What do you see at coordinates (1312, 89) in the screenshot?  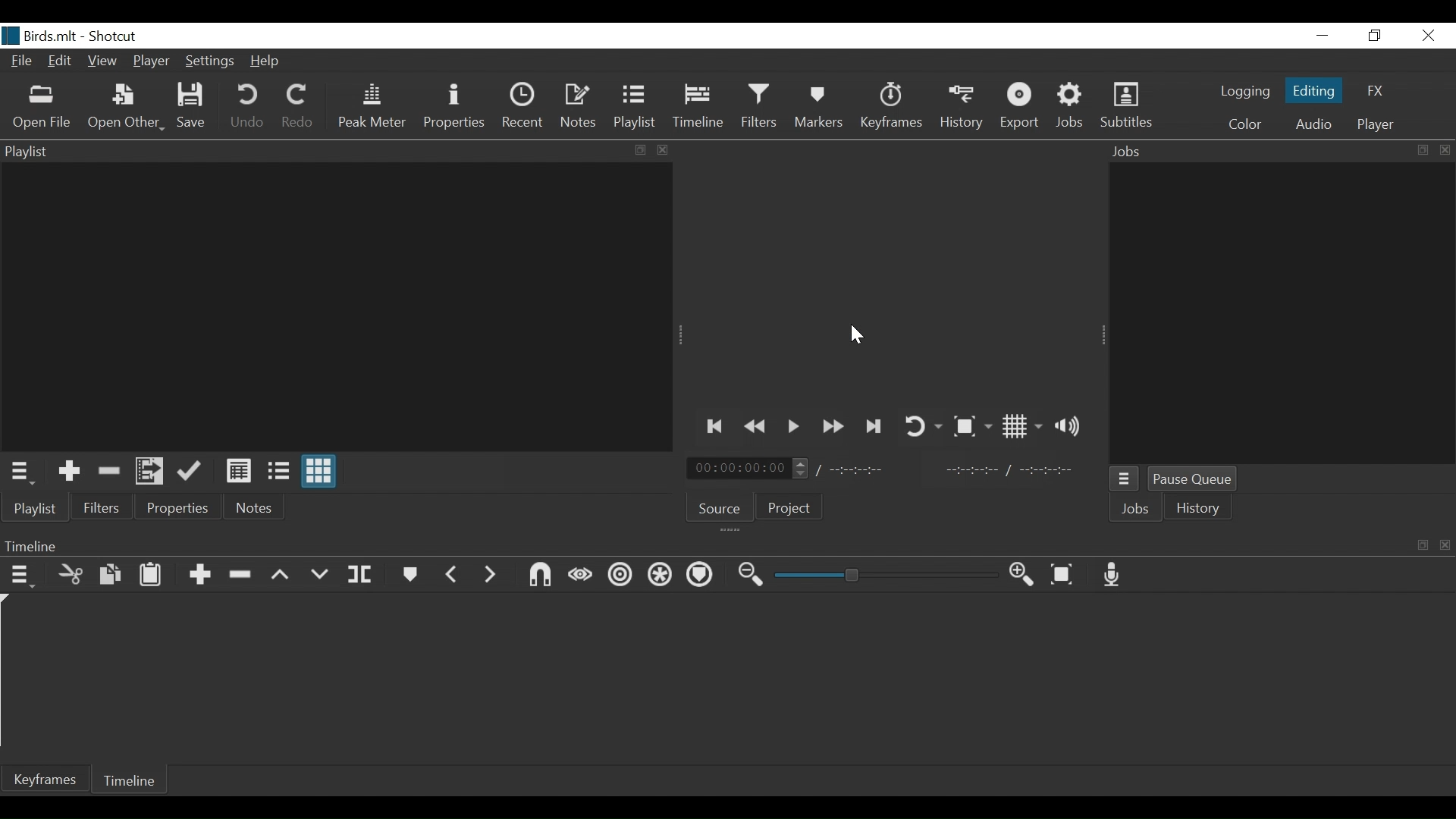 I see `Editing` at bounding box center [1312, 89].